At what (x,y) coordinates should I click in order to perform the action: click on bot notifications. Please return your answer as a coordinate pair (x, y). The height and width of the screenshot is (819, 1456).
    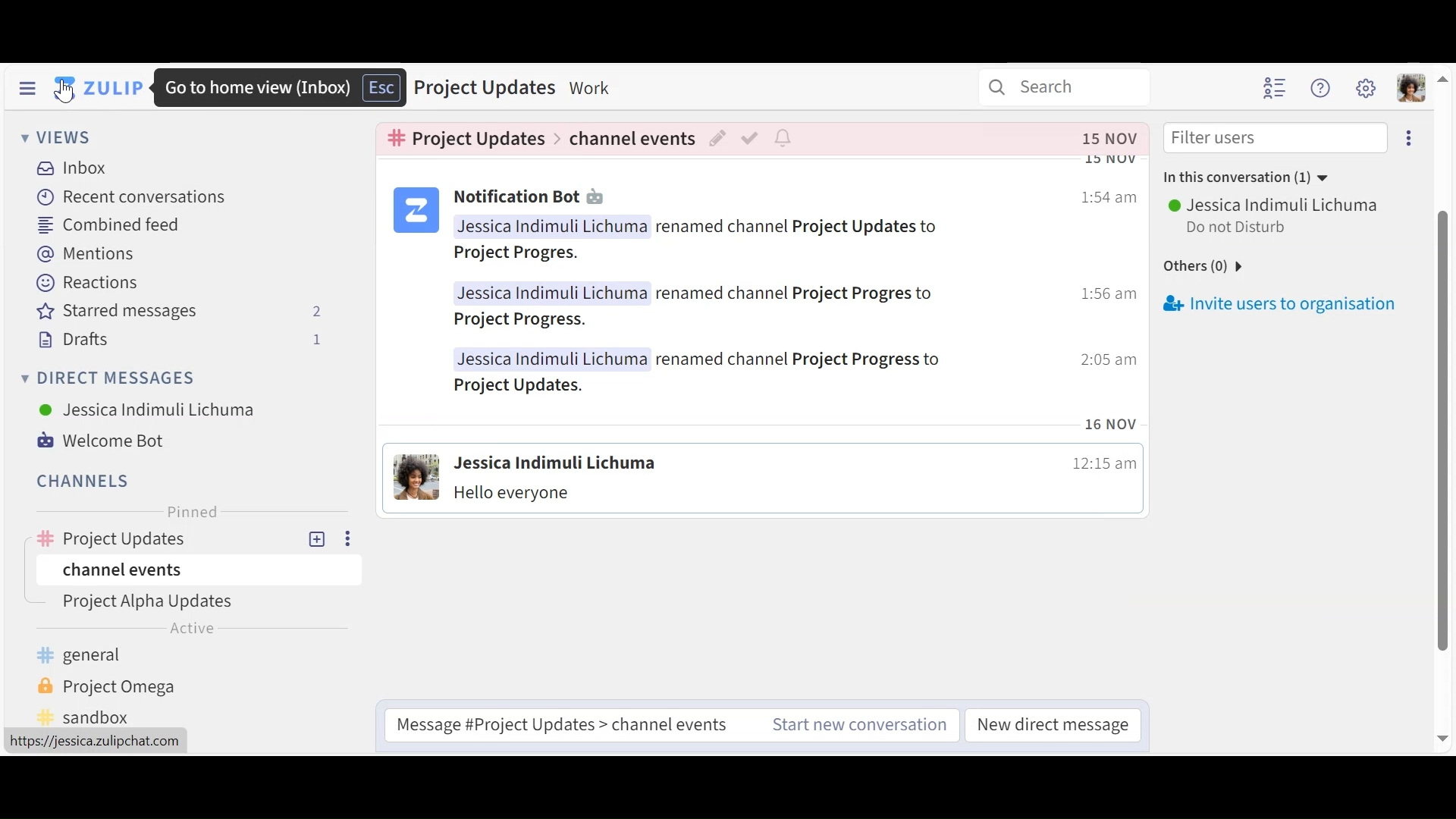
    Looking at the image, I should click on (517, 252).